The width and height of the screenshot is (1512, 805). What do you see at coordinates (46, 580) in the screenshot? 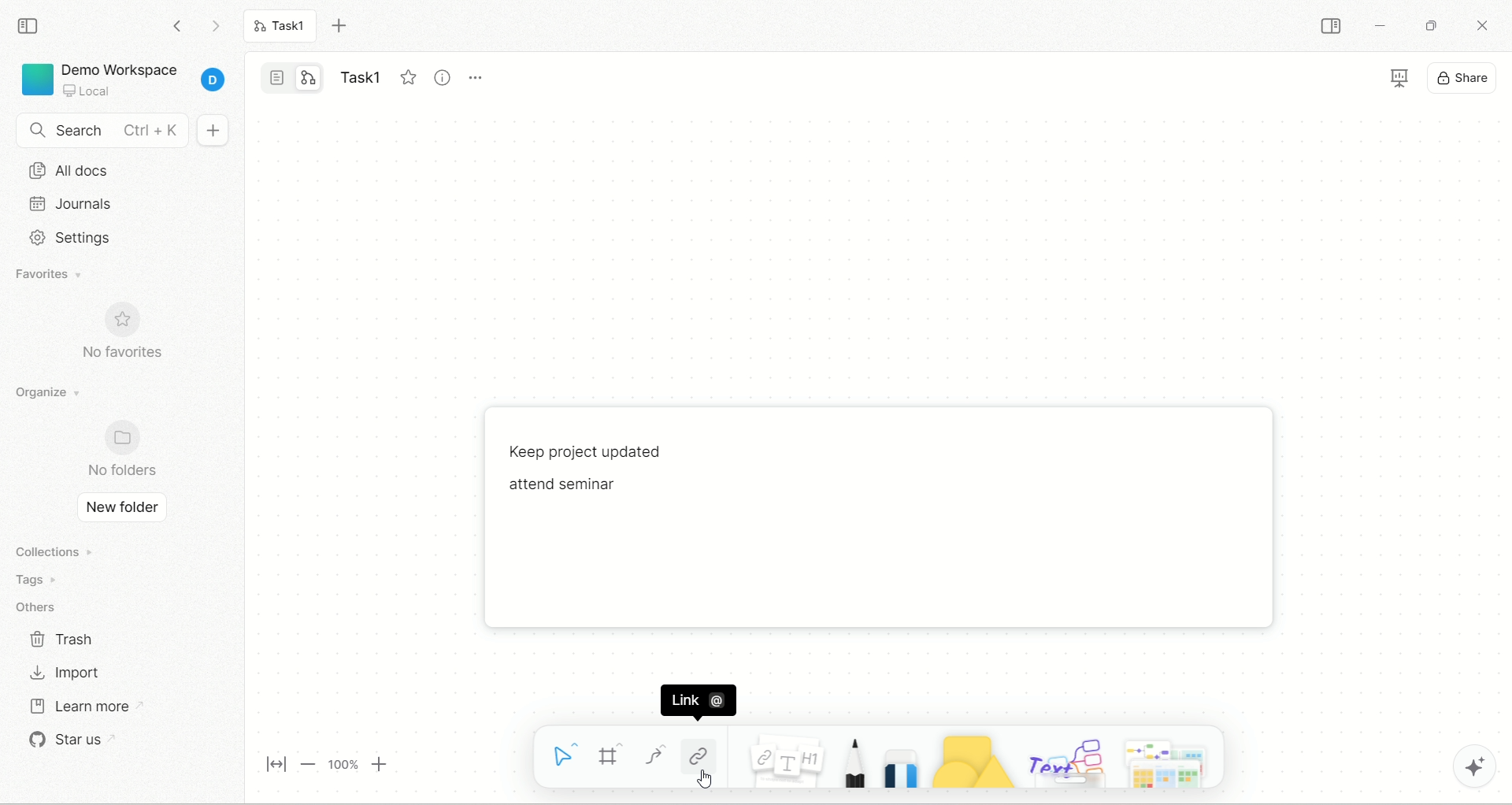
I see `tags` at bounding box center [46, 580].